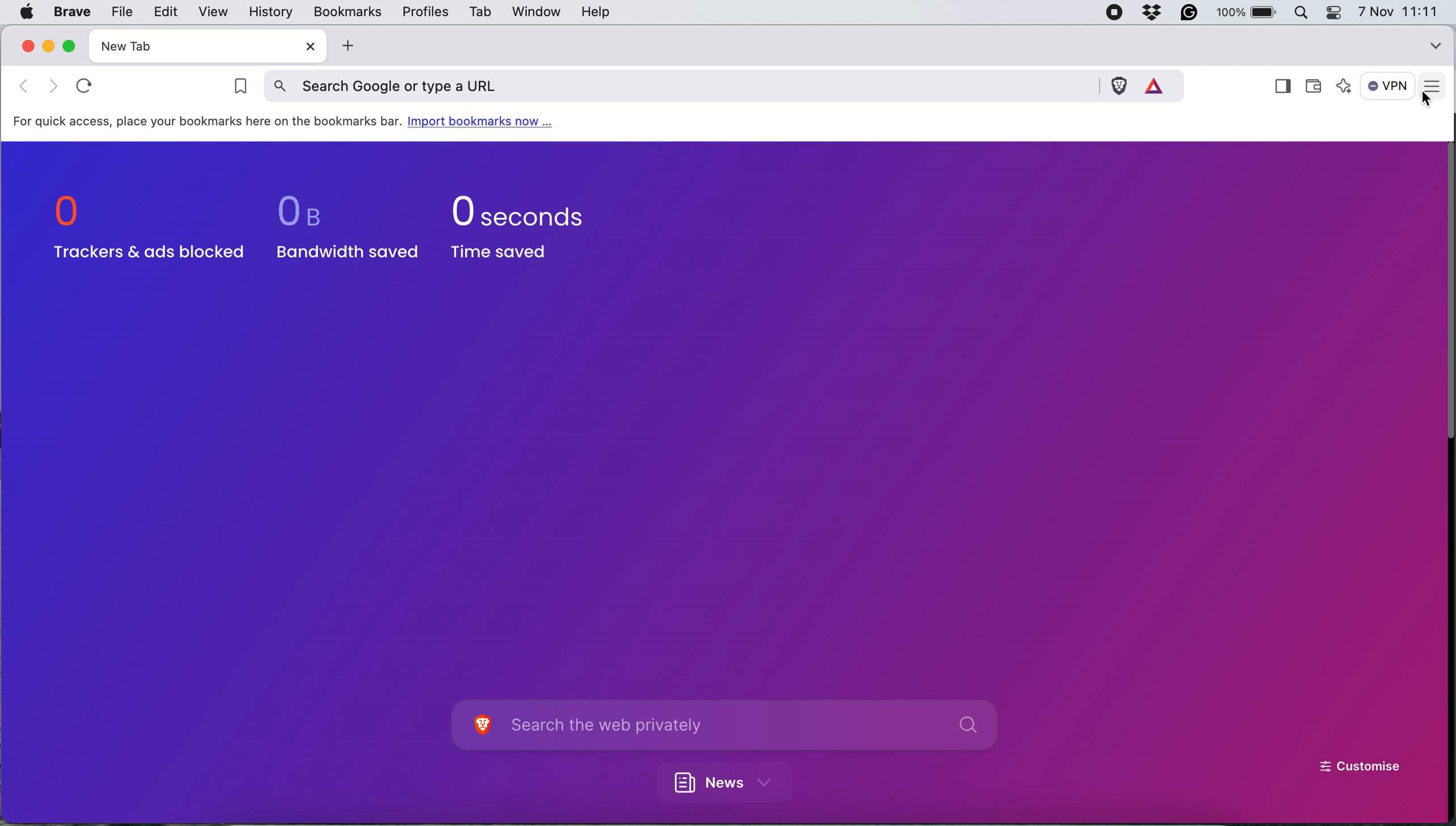 This screenshot has width=1456, height=826. What do you see at coordinates (269, 12) in the screenshot?
I see `history` at bounding box center [269, 12].